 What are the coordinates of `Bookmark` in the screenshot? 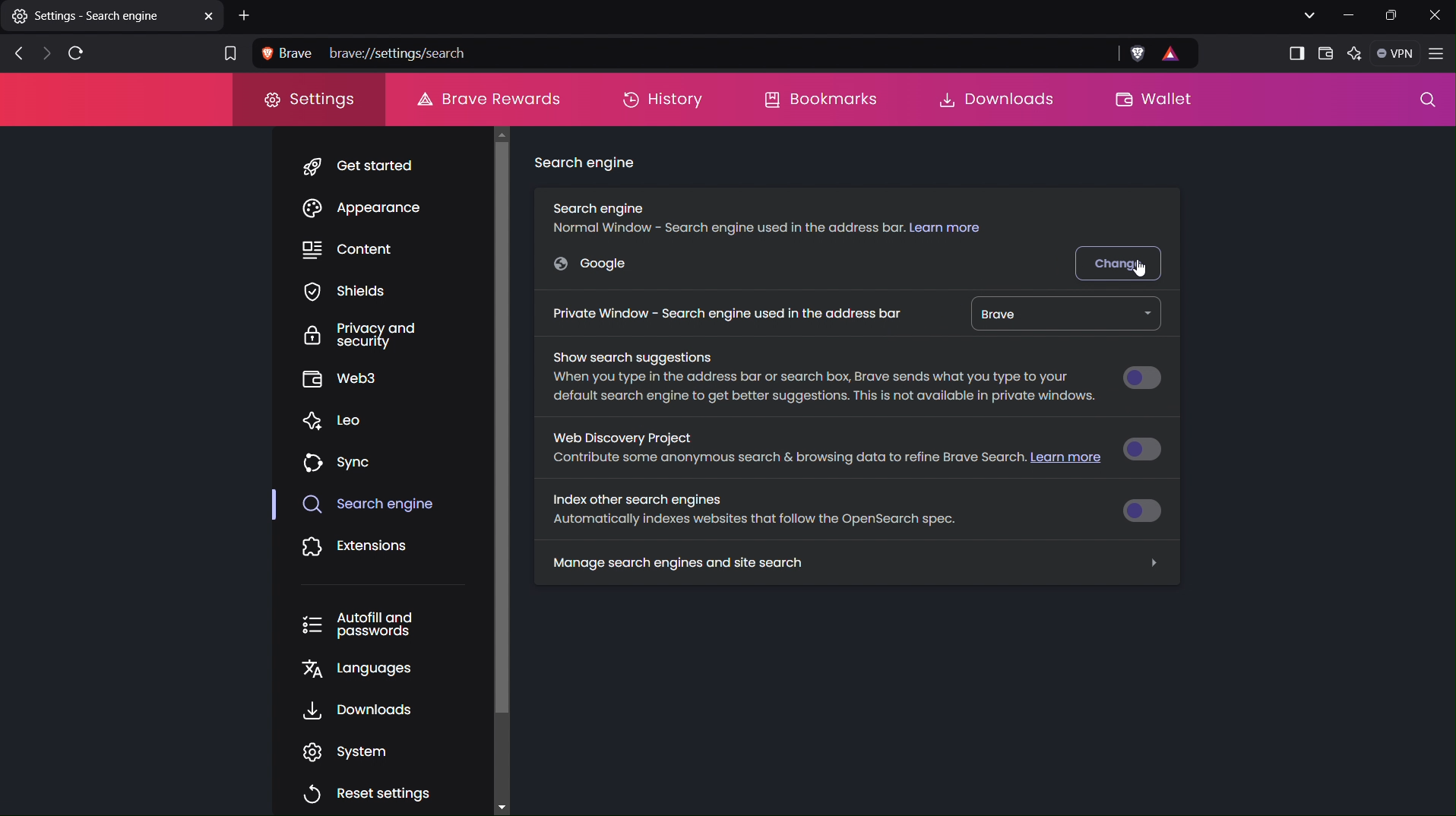 It's located at (228, 52).